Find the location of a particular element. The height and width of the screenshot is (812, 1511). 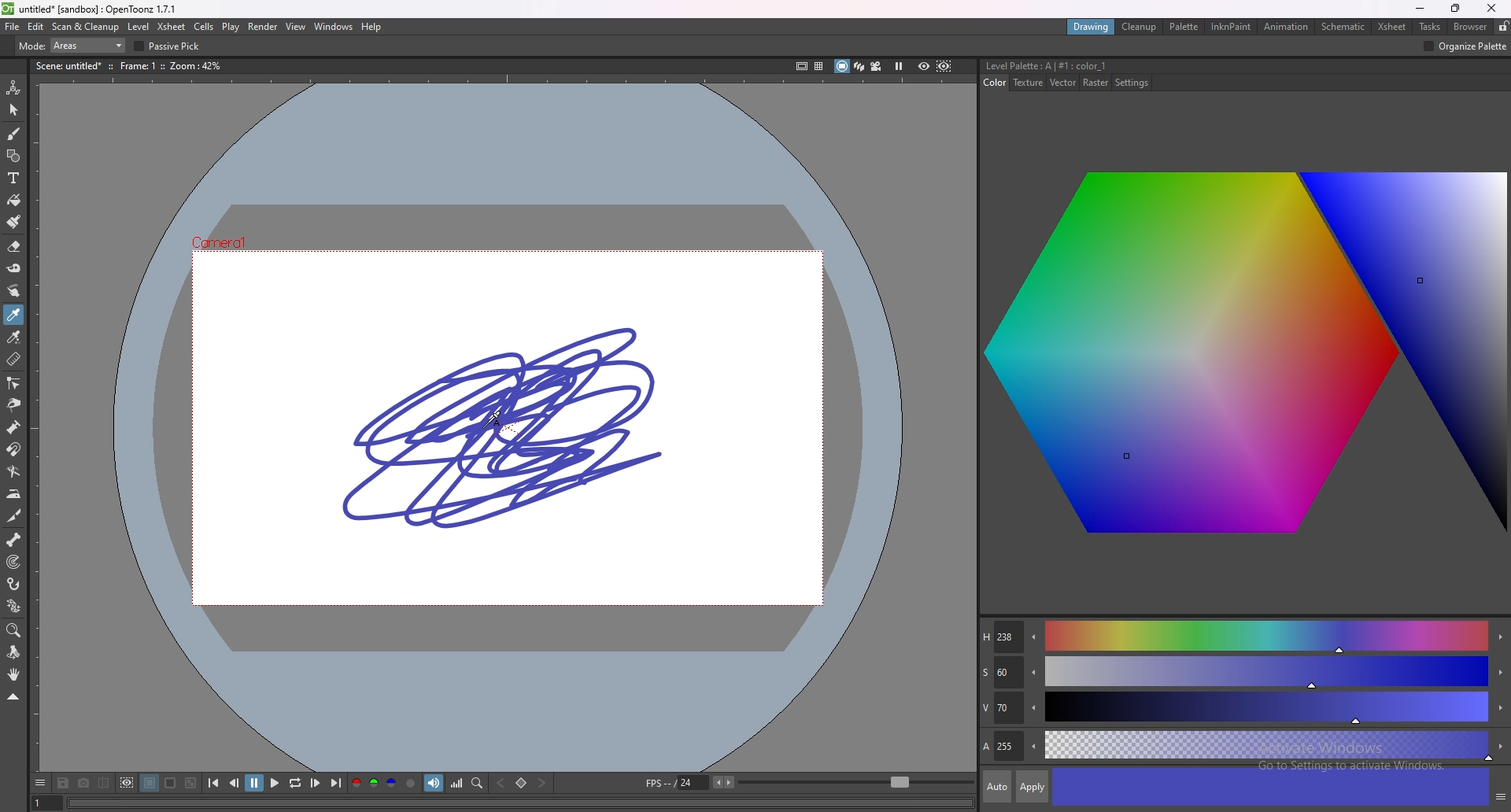

paintbrush tool is located at coordinates (15, 221).